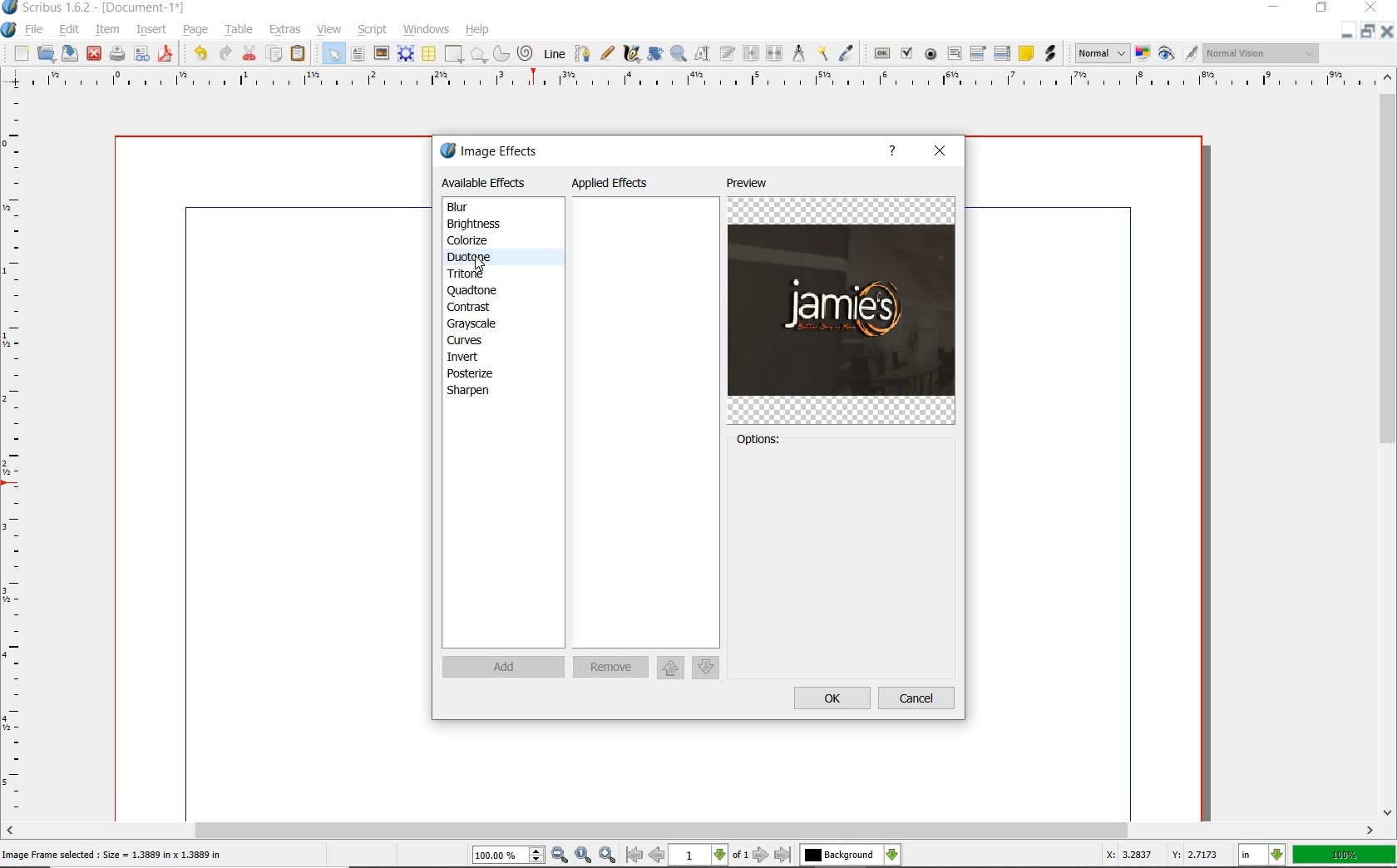 The image size is (1397, 868). Describe the element at coordinates (939, 152) in the screenshot. I see `close` at that location.